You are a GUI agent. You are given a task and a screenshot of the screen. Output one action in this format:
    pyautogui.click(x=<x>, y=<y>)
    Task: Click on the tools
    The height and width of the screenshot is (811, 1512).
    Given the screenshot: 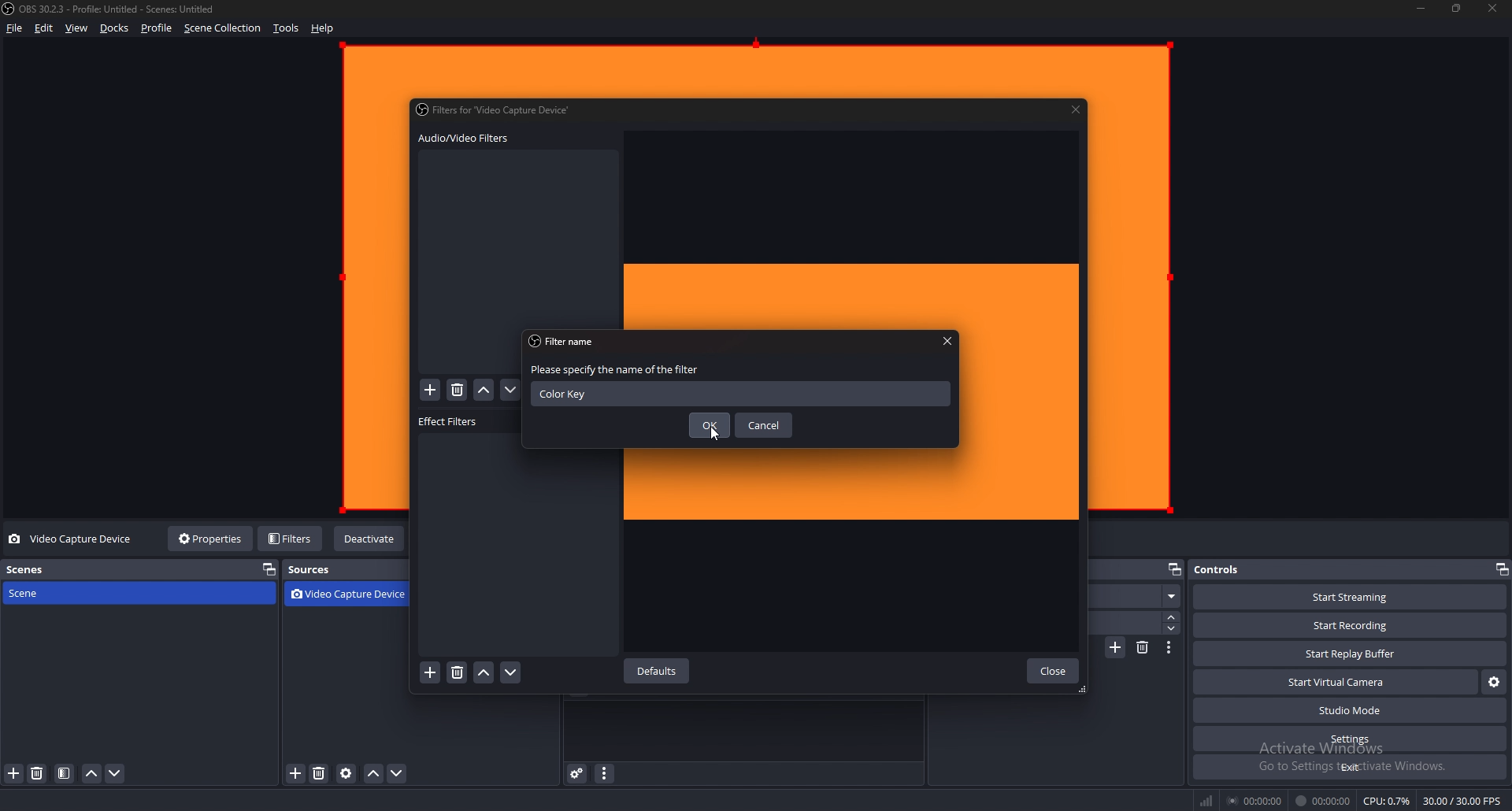 What is the action you would take?
    pyautogui.click(x=287, y=28)
    